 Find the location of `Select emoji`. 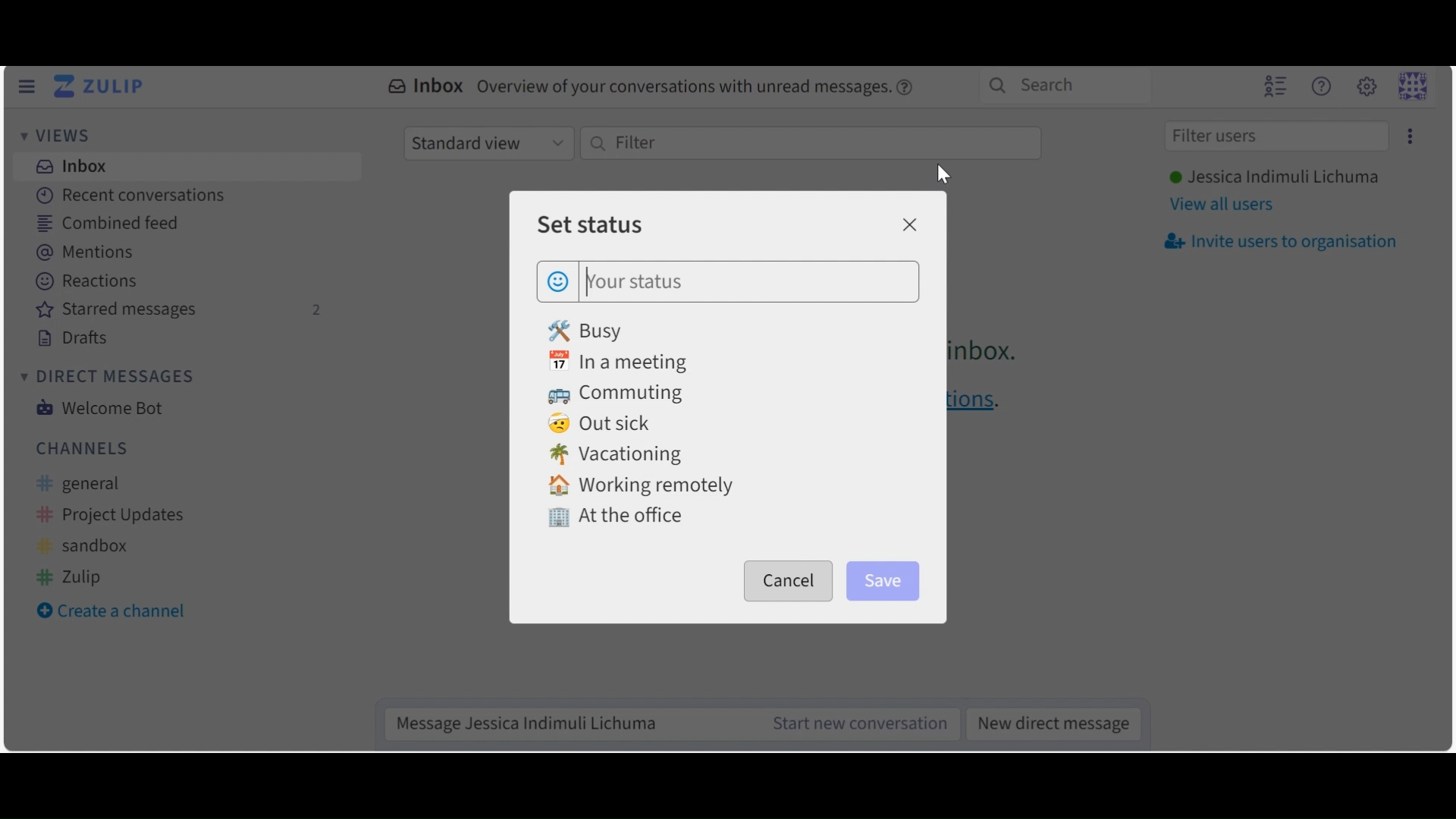

Select emoji is located at coordinates (558, 279).